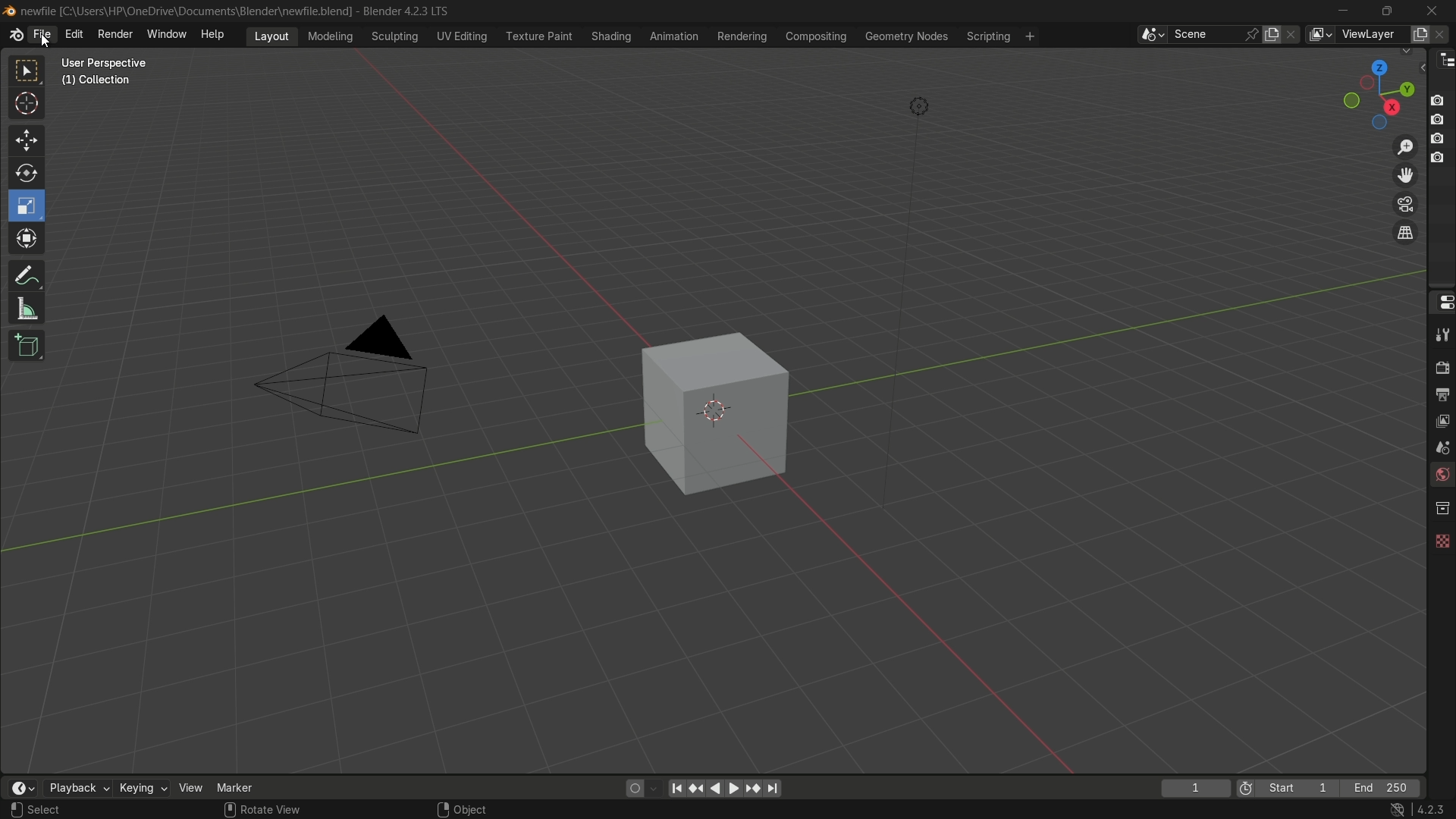 The image size is (1456, 819). What do you see at coordinates (631, 787) in the screenshot?
I see `auto keying` at bounding box center [631, 787].